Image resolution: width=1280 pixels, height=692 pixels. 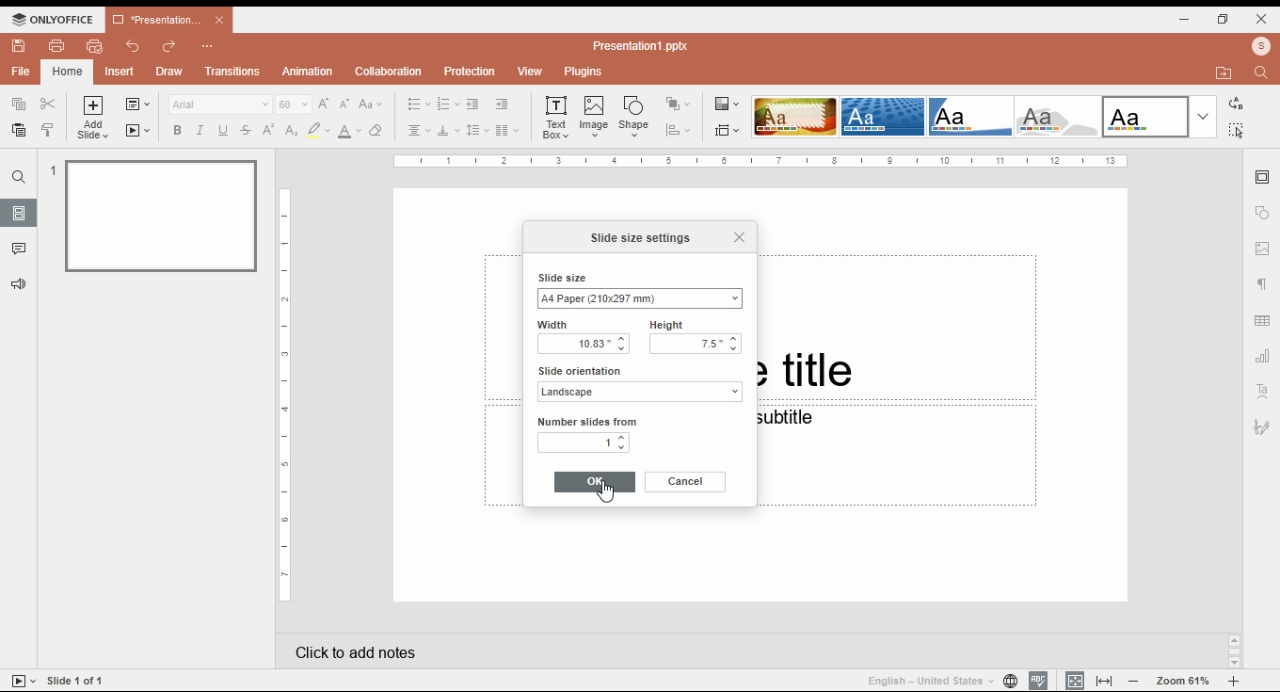 I want to click on profile, so click(x=1261, y=46).